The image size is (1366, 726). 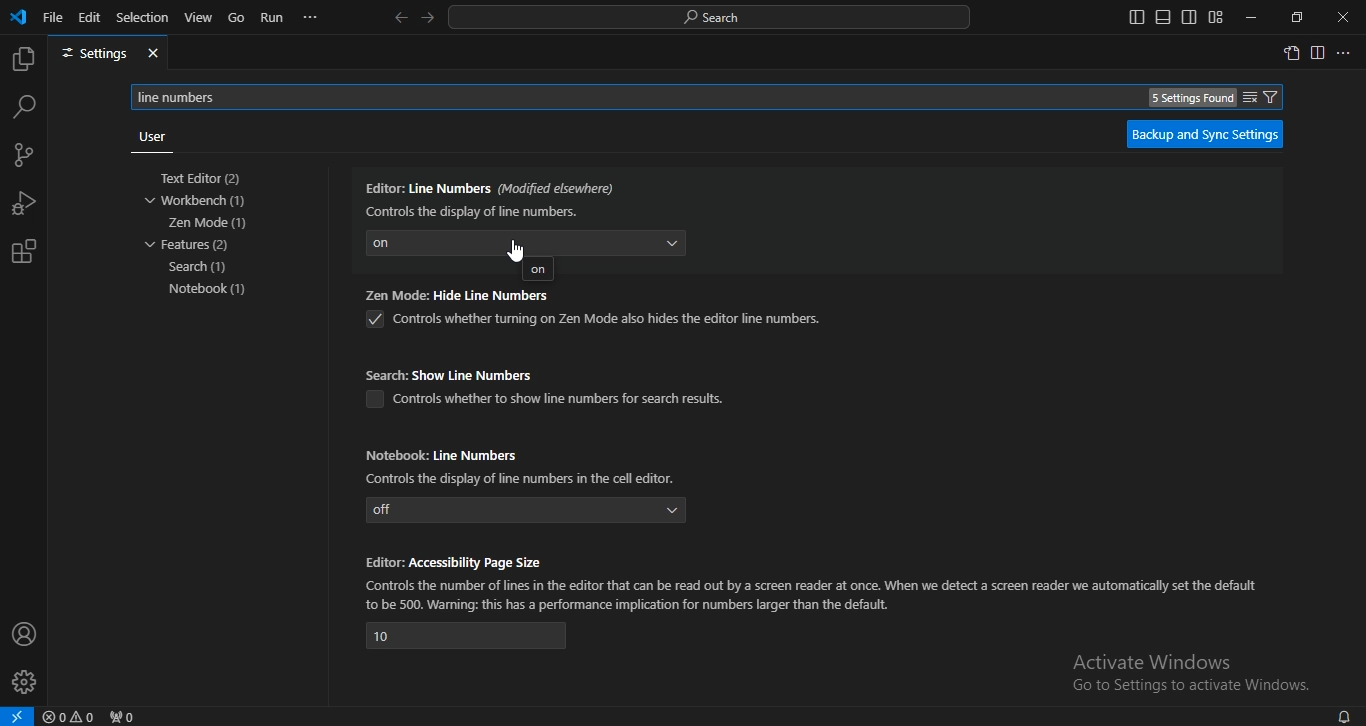 I want to click on toggle secondary sidebar, so click(x=1189, y=17).